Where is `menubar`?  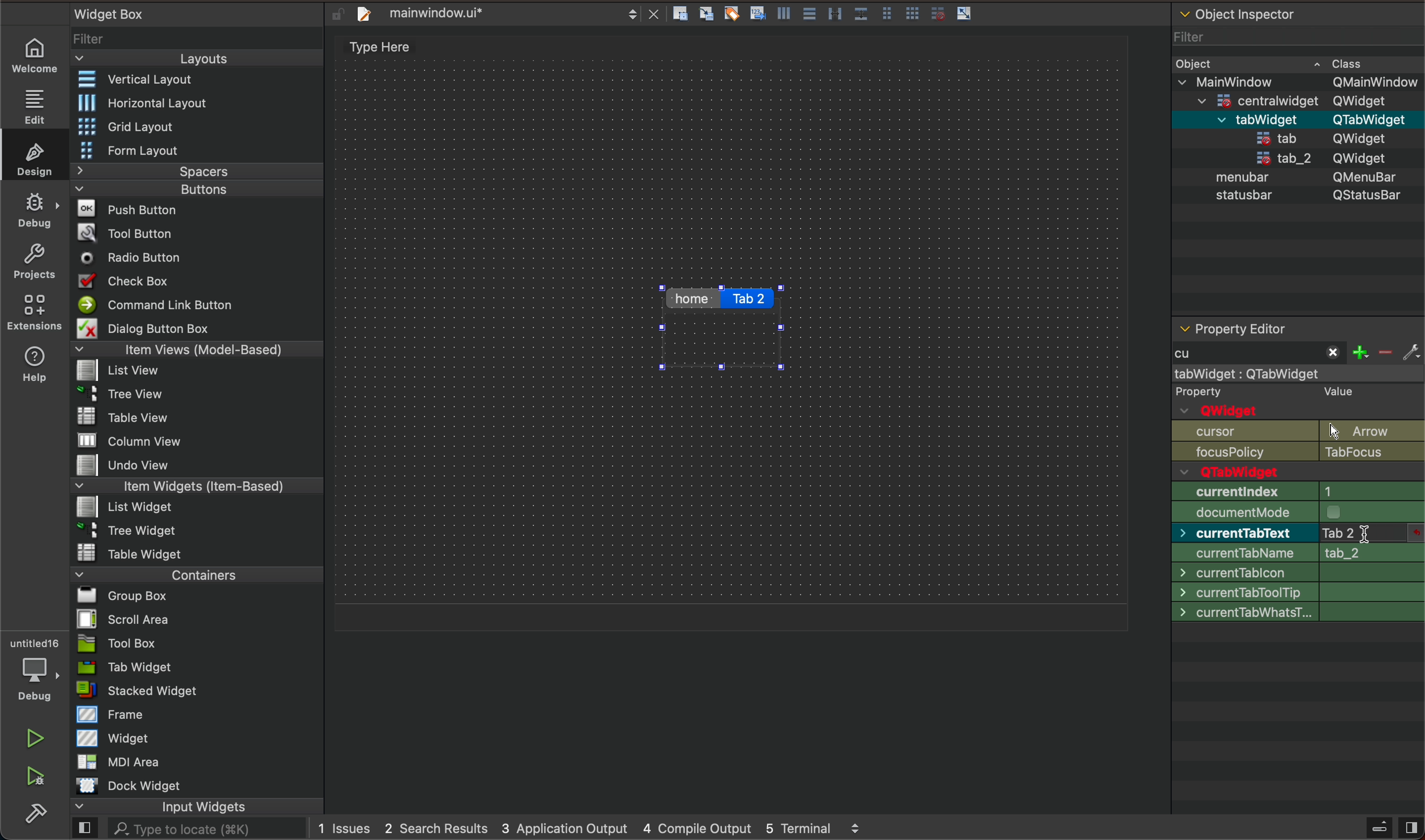
menubar is located at coordinates (1235, 179).